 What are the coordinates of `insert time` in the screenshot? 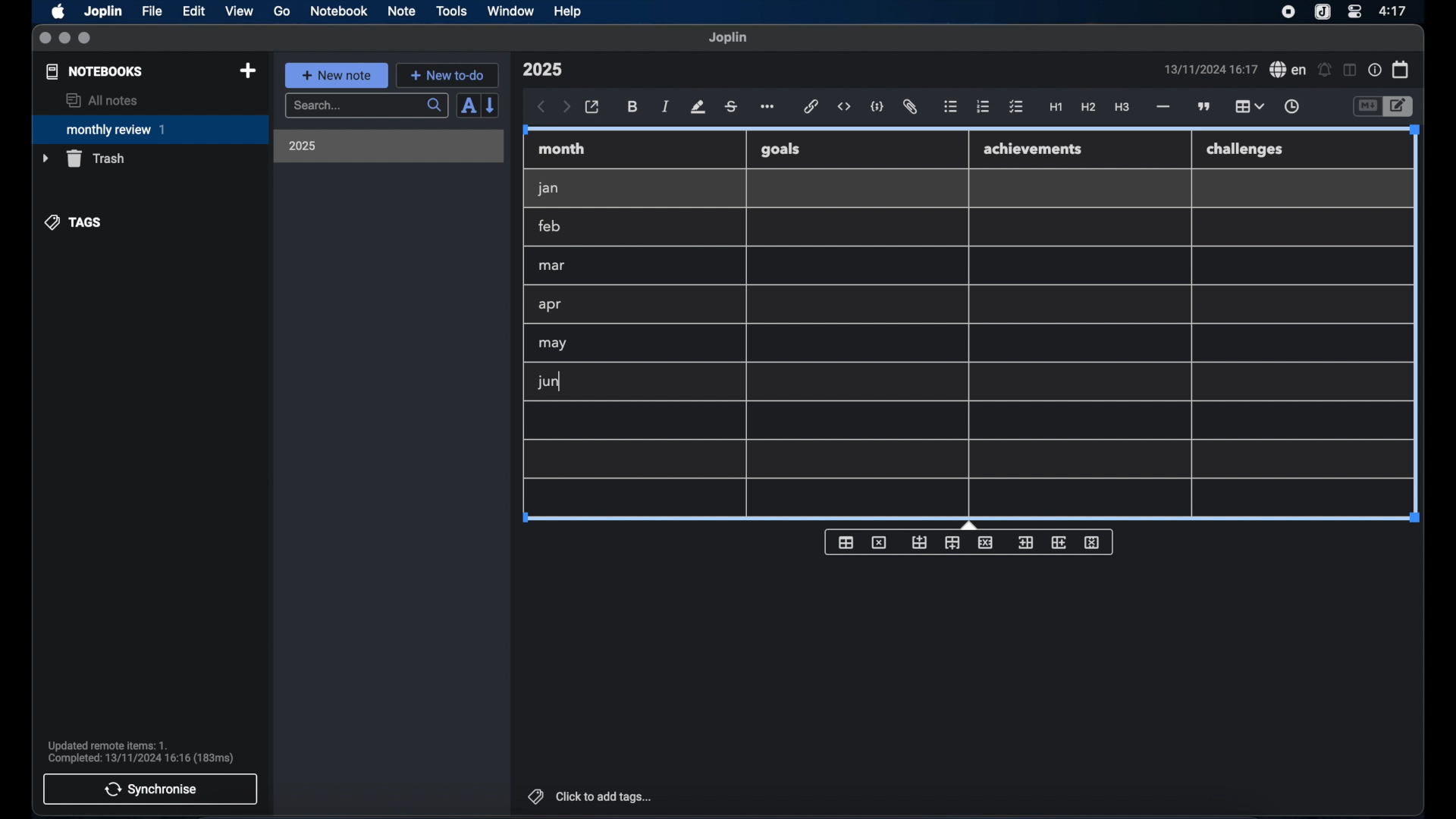 It's located at (1291, 107).